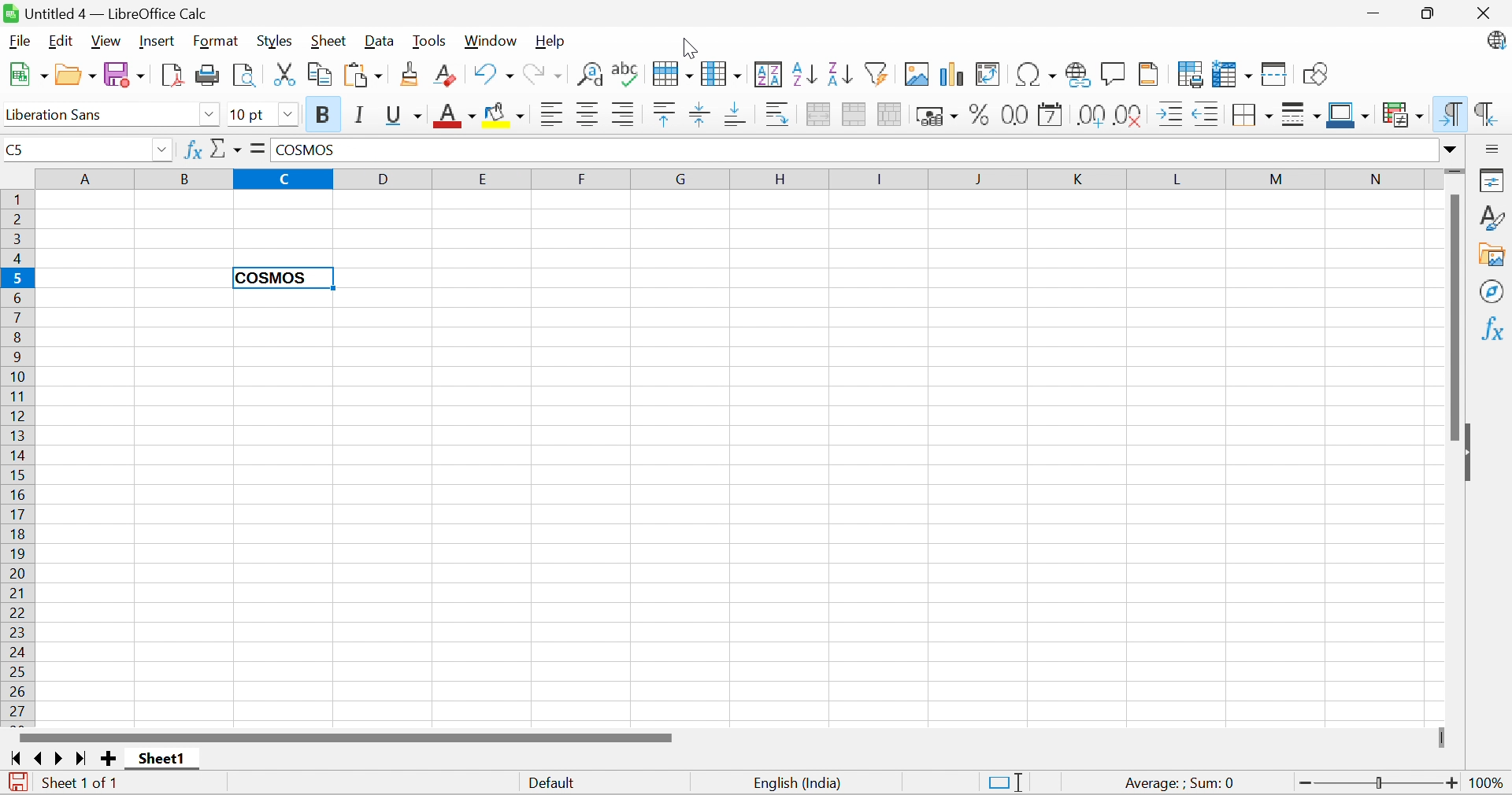  What do you see at coordinates (551, 115) in the screenshot?
I see `Align Left` at bounding box center [551, 115].